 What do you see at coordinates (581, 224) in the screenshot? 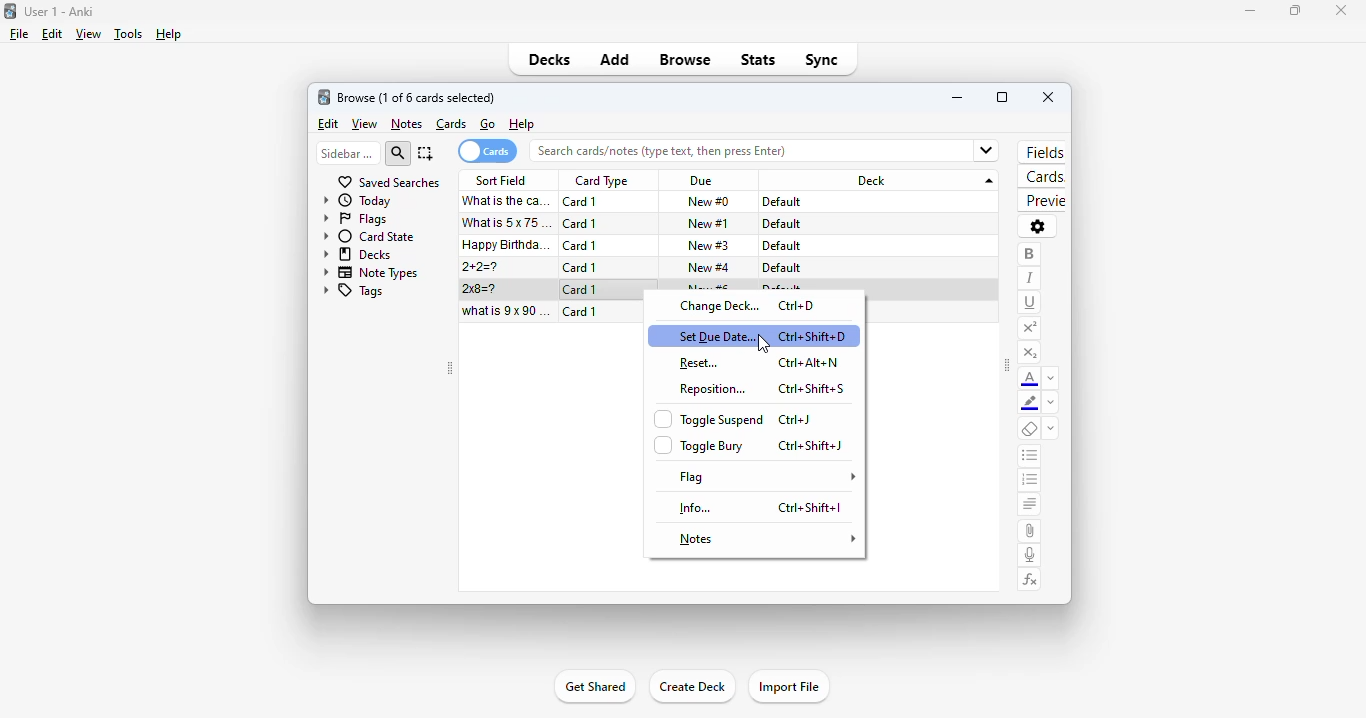
I see `card 1` at bounding box center [581, 224].